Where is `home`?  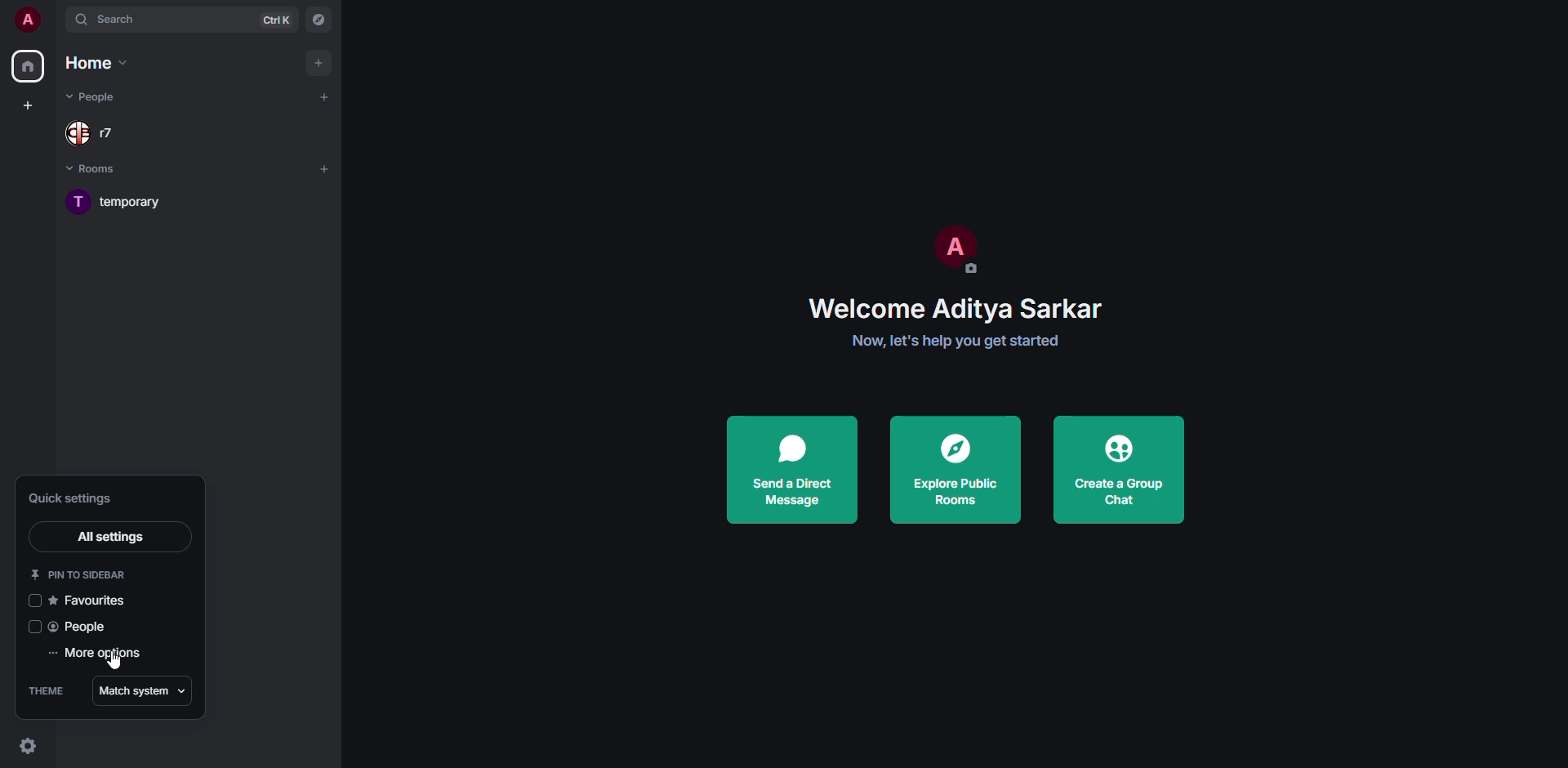 home is located at coordinates (99, 61).